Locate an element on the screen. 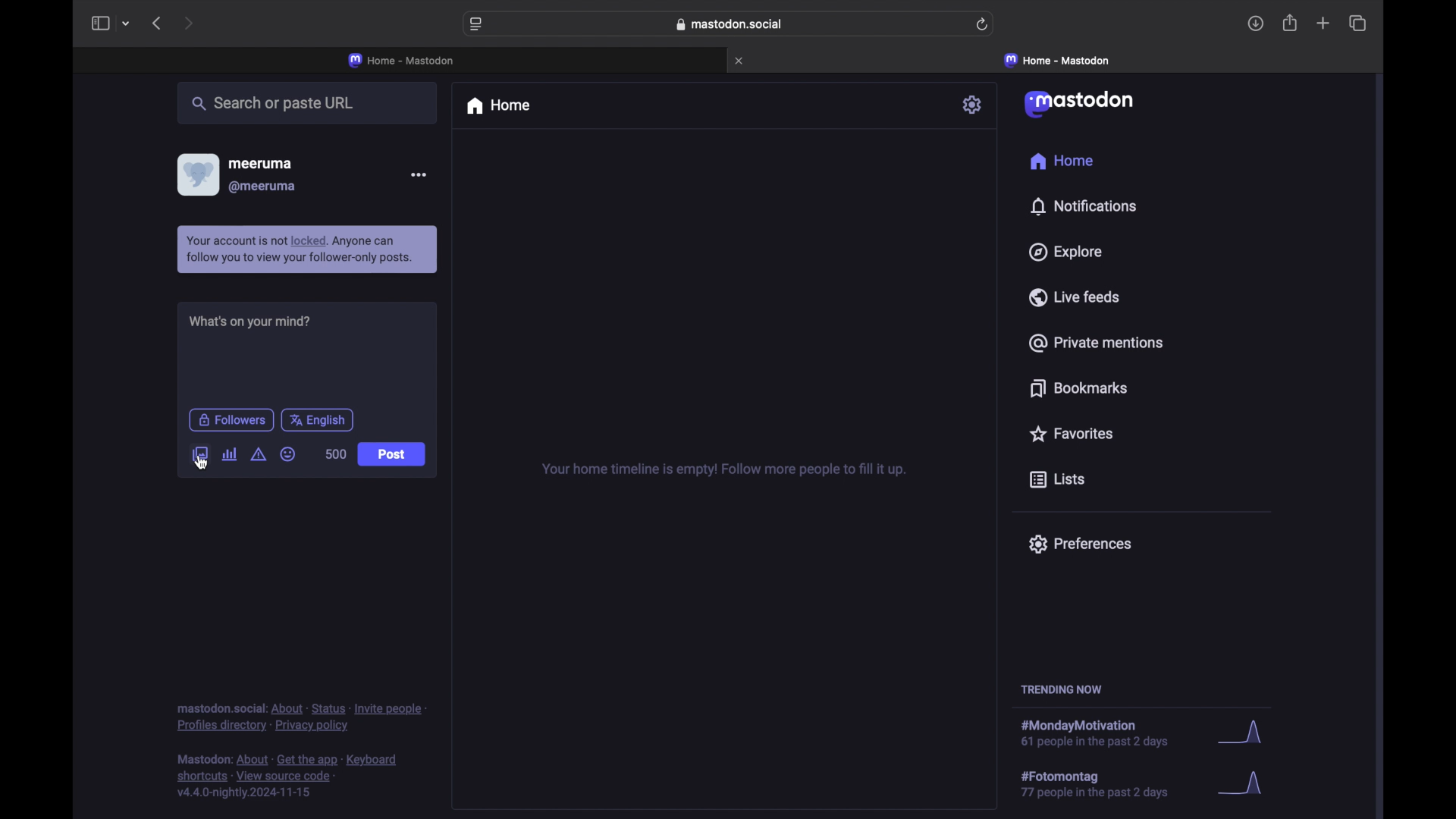 Image resolution: width=1456 pixels, height=819 pixels. home mastodon is located at coordinates (1057, 60).